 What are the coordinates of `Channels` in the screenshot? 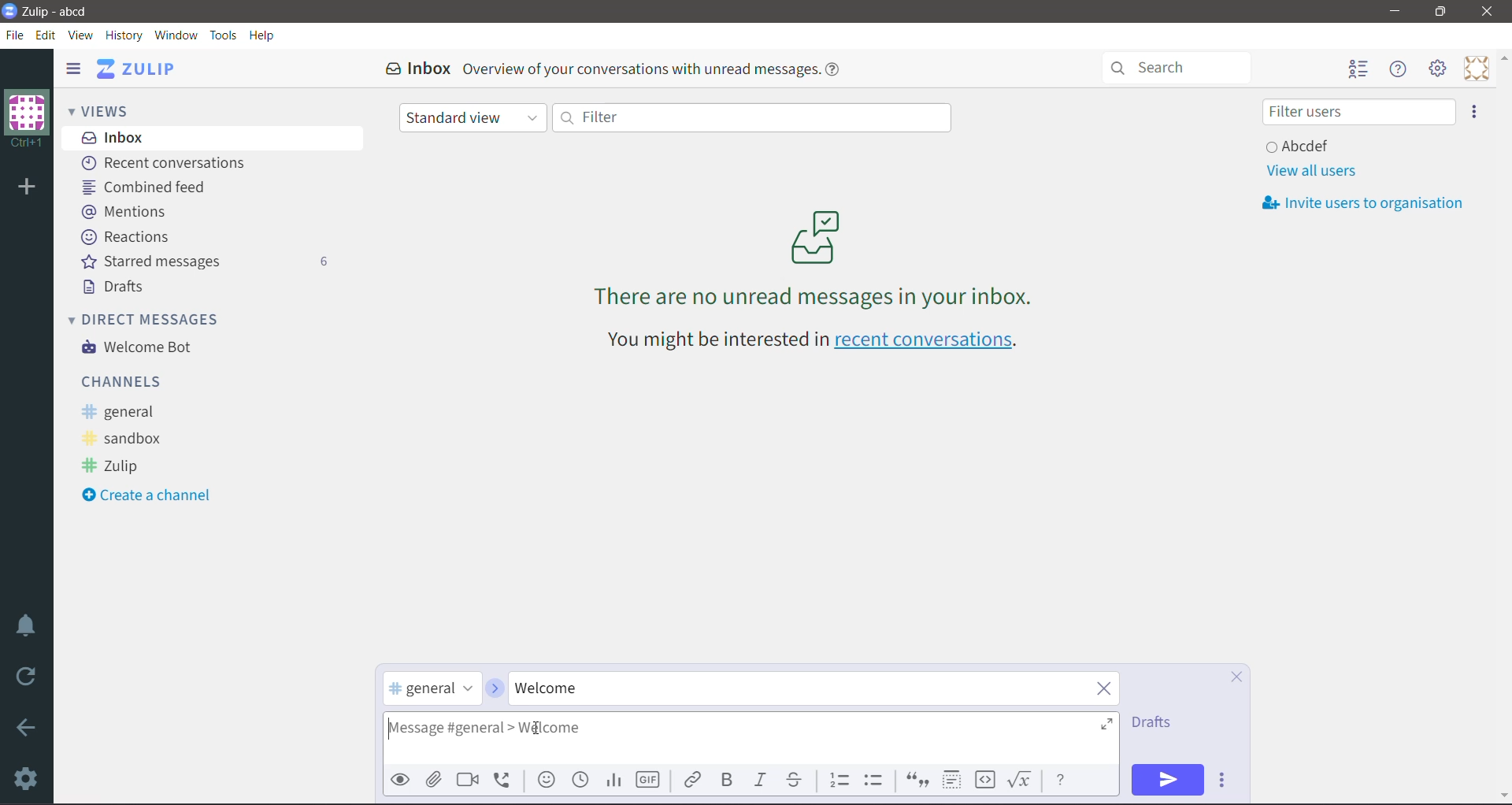 It's located at (125, 380).